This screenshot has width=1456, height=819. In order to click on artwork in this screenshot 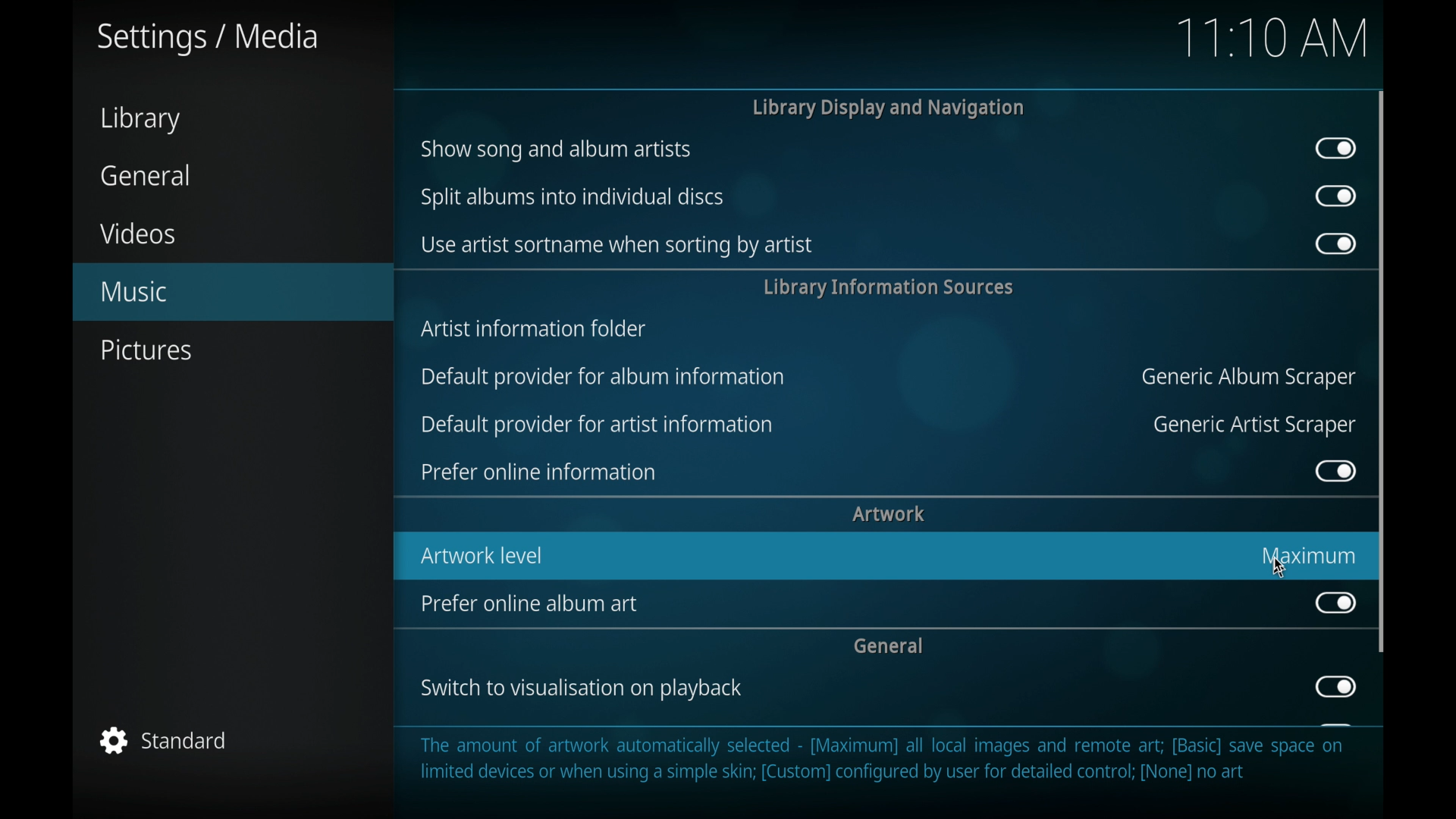, I will do `click(889, 513)`.